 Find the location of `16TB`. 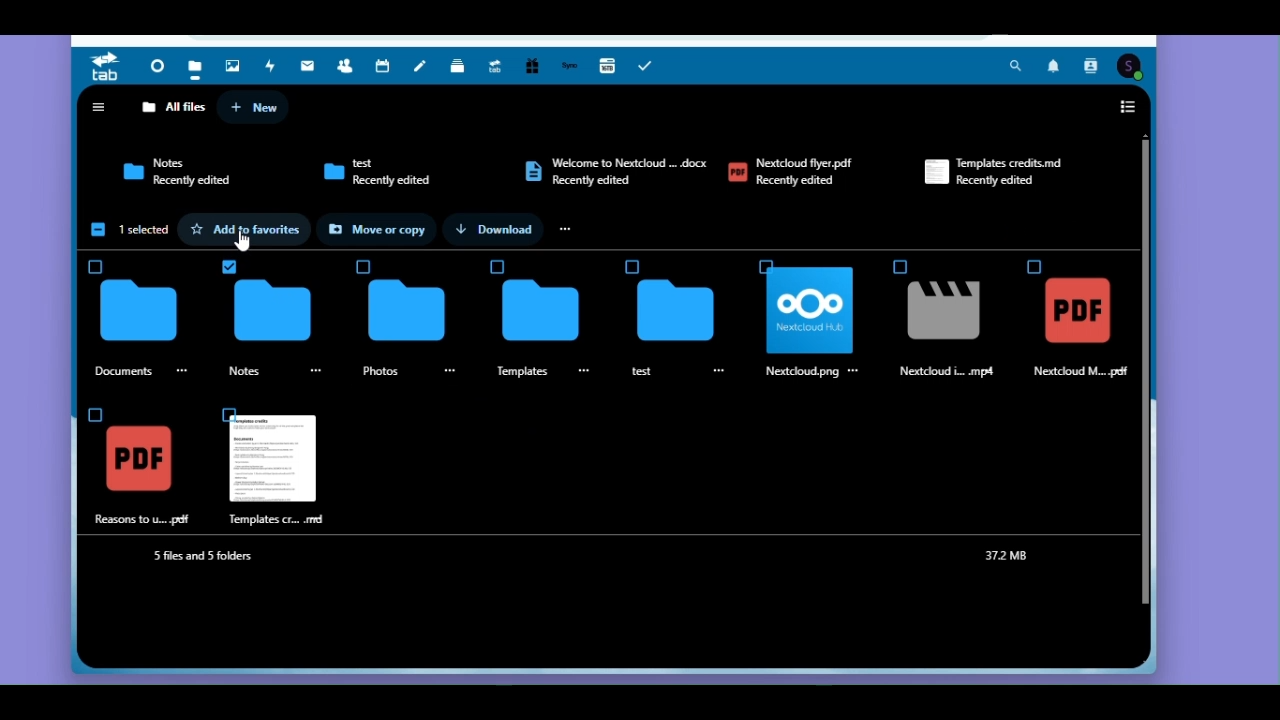

16TB is located at coordinates (607, 62).